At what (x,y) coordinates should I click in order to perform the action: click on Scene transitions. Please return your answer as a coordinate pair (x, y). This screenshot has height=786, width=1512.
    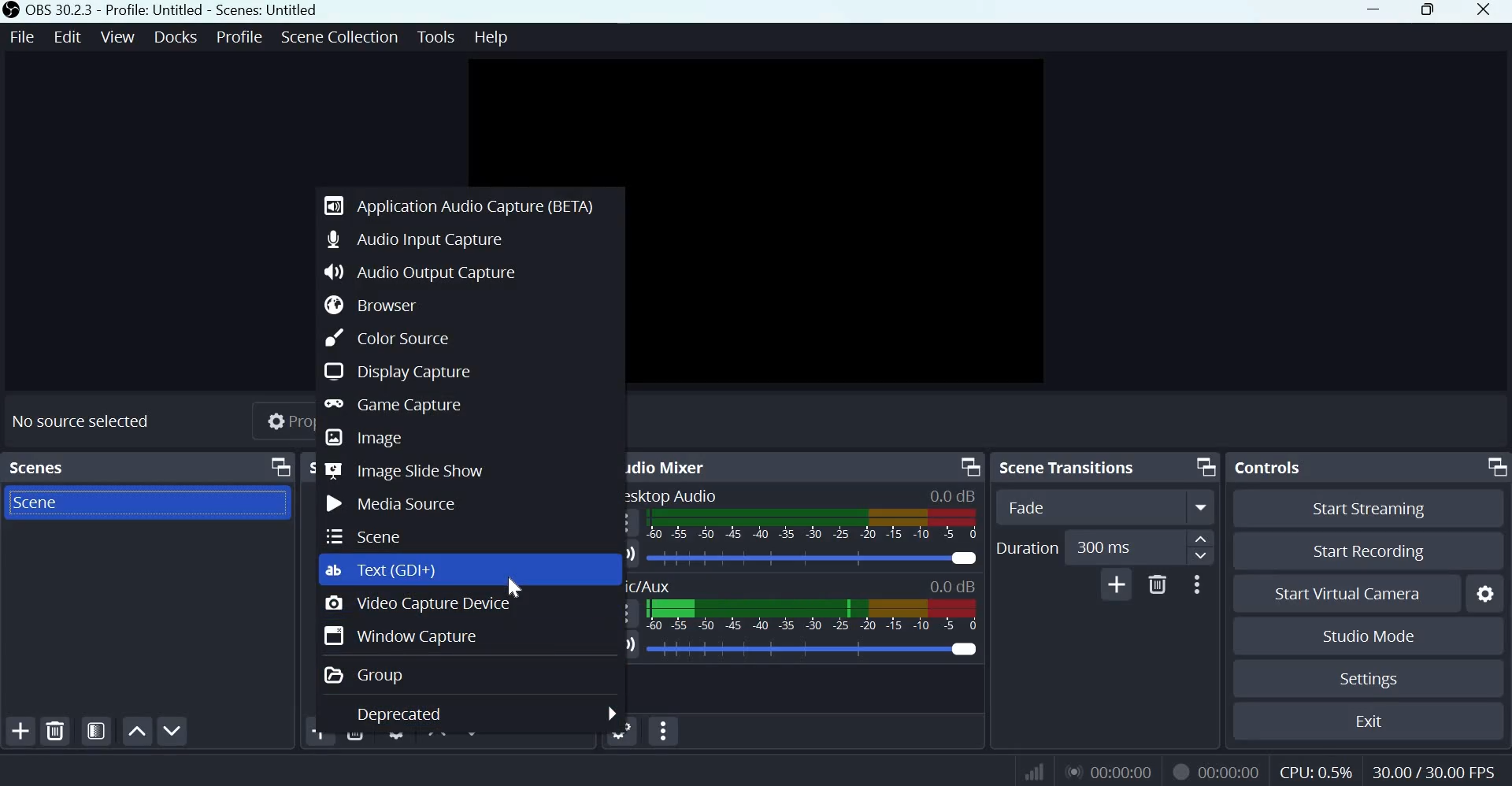
    Looking at the image, I should click on (1070, 466).